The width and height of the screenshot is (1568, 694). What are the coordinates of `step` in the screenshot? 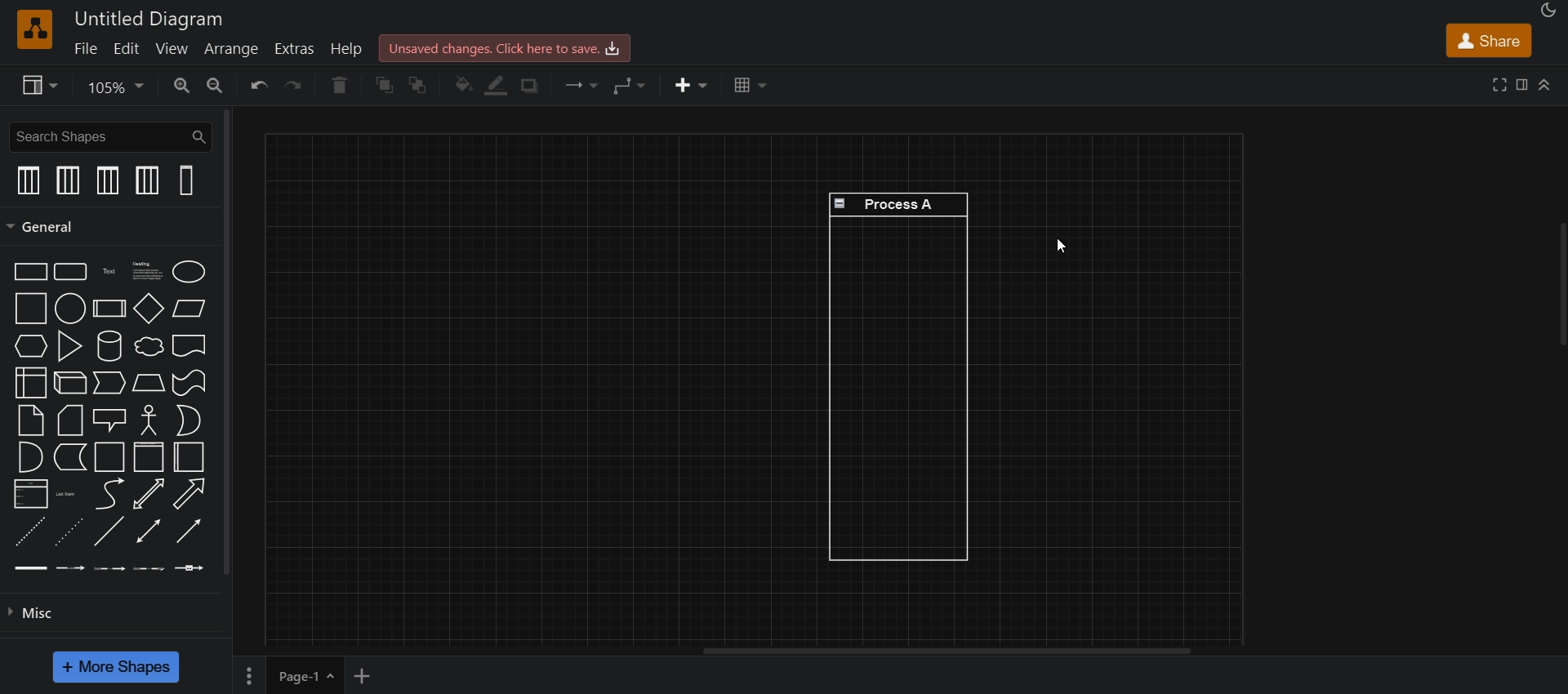 It's located at (109, 383).